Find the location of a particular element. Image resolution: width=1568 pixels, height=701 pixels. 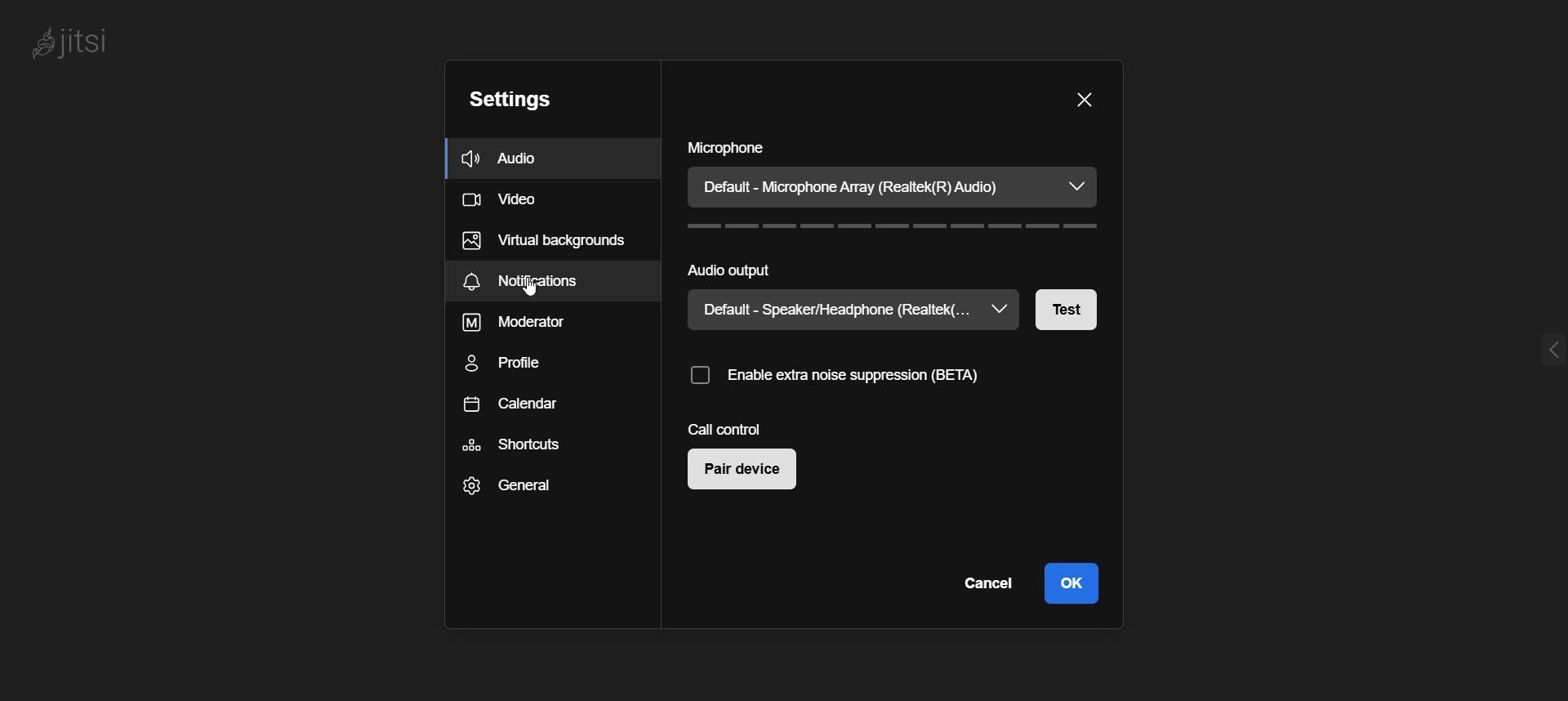

Audio is located at coordinates (537, 158).